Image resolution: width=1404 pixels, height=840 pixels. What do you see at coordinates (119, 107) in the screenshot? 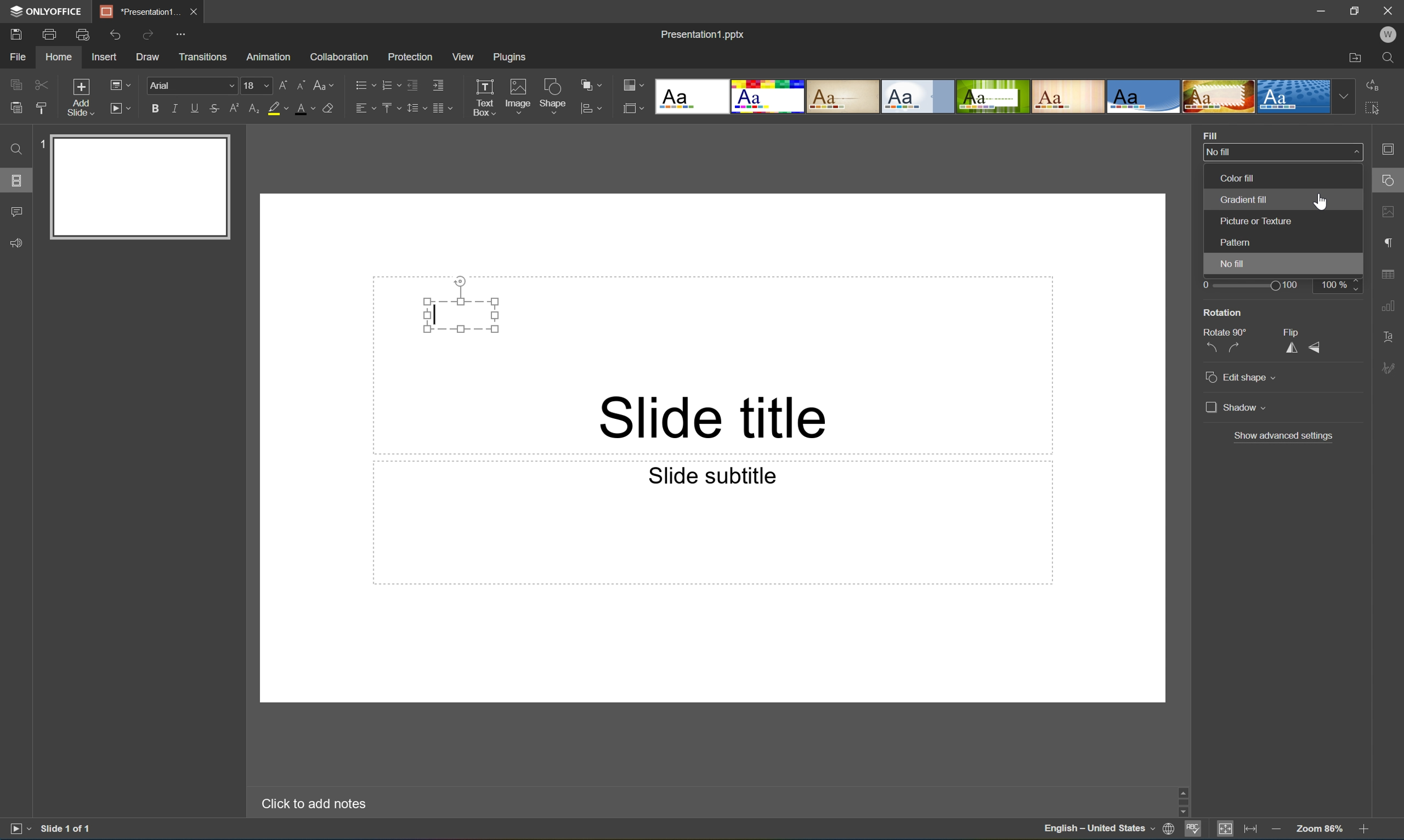
I see `Start slideshow` at bounding box center [119, 107].